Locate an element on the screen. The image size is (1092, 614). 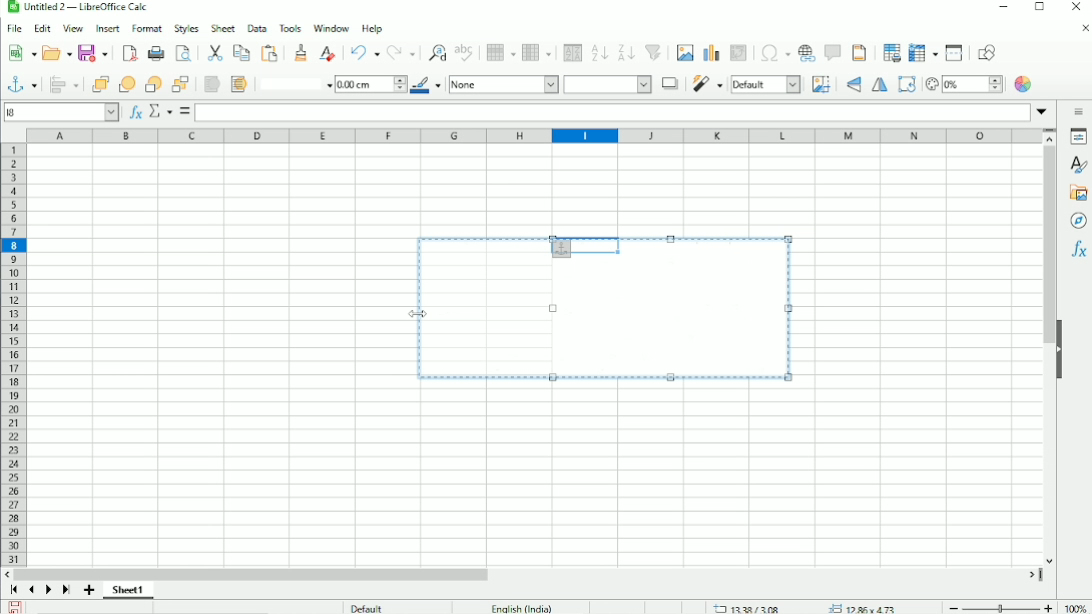
Transparency is located at coordinates (963, 84).